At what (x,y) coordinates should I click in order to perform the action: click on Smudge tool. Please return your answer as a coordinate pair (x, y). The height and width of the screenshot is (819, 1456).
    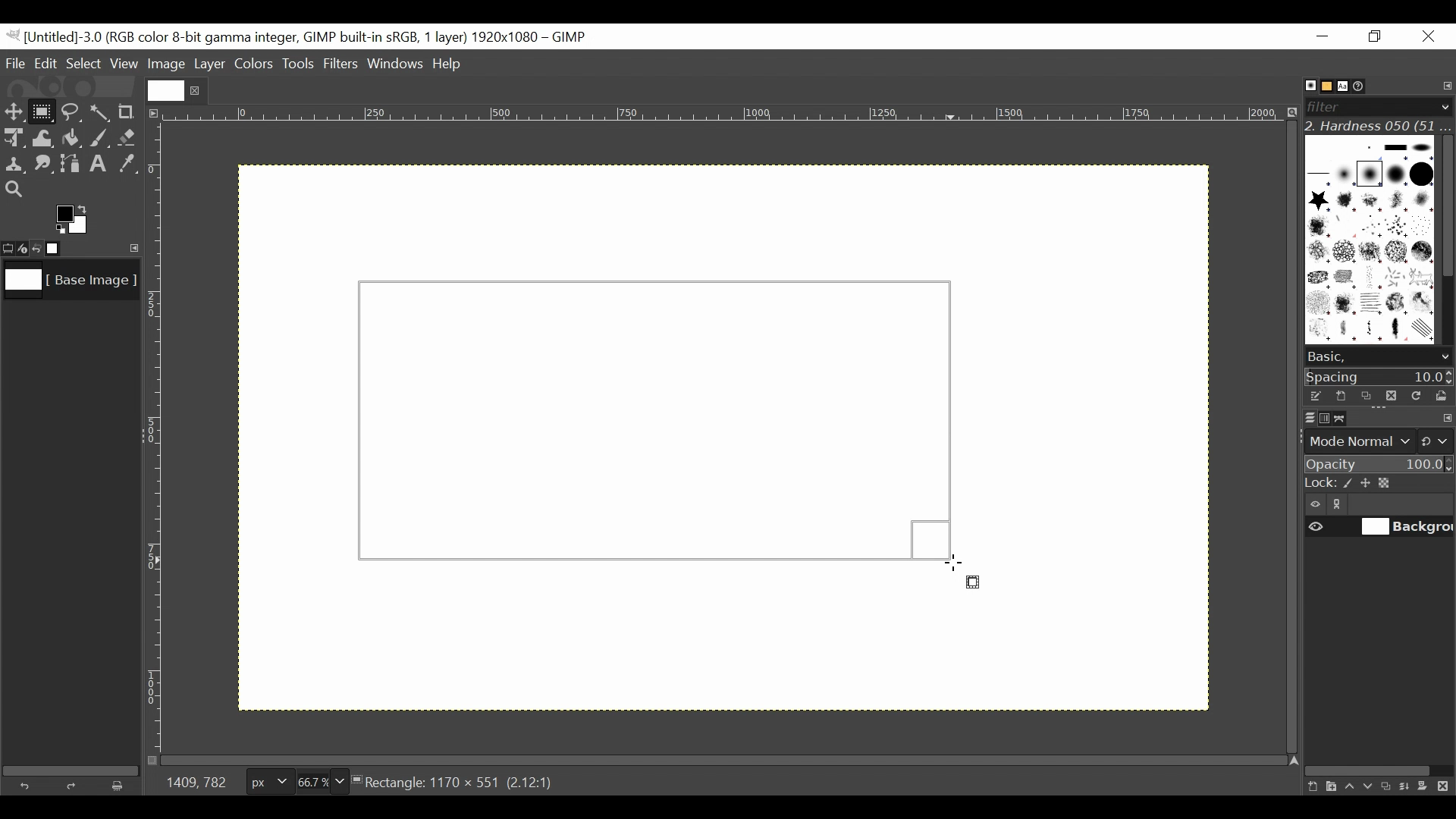
    Looking at the image, I should click on (45, 165).